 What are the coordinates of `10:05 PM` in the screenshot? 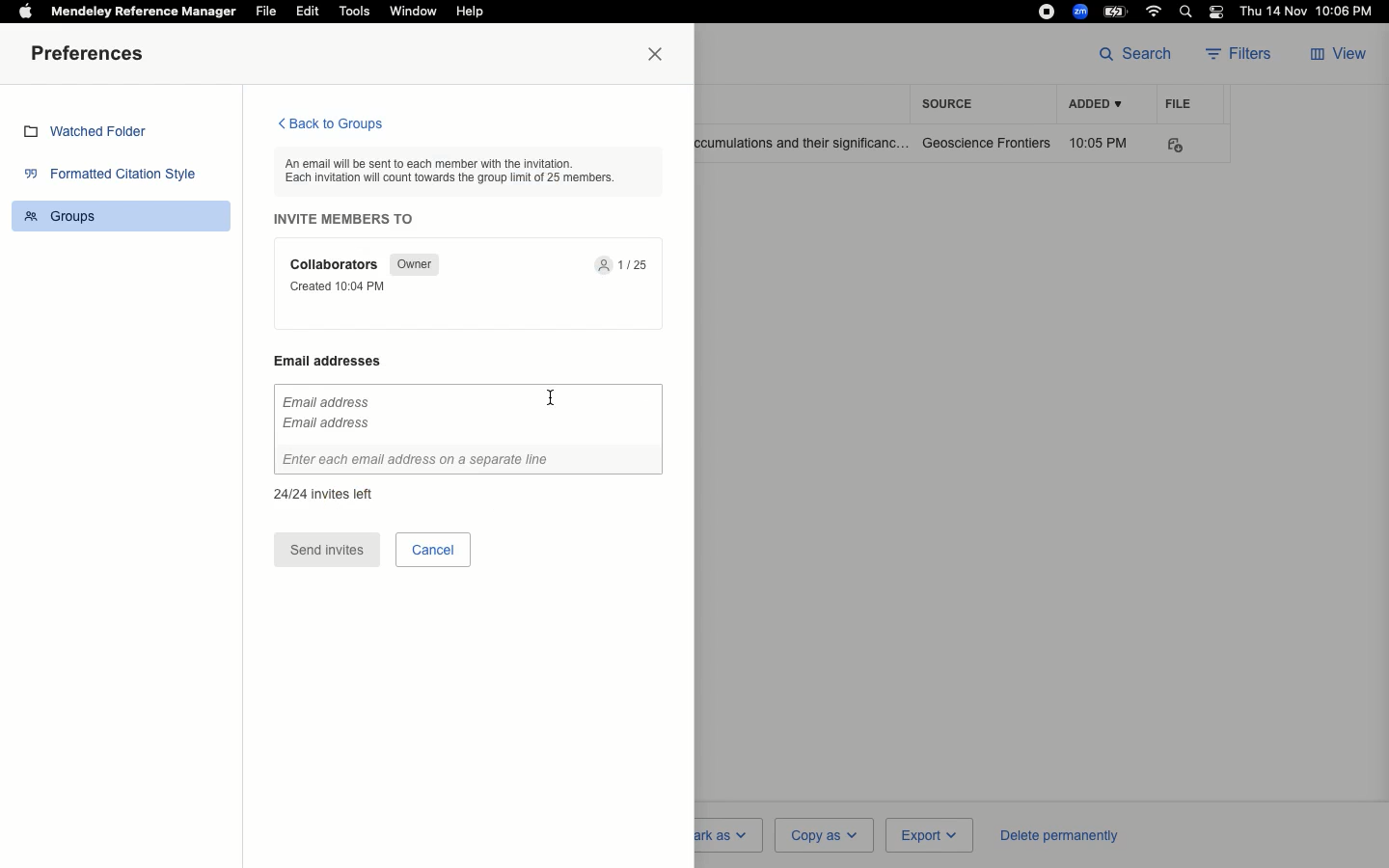 It's located at (1102, 143).